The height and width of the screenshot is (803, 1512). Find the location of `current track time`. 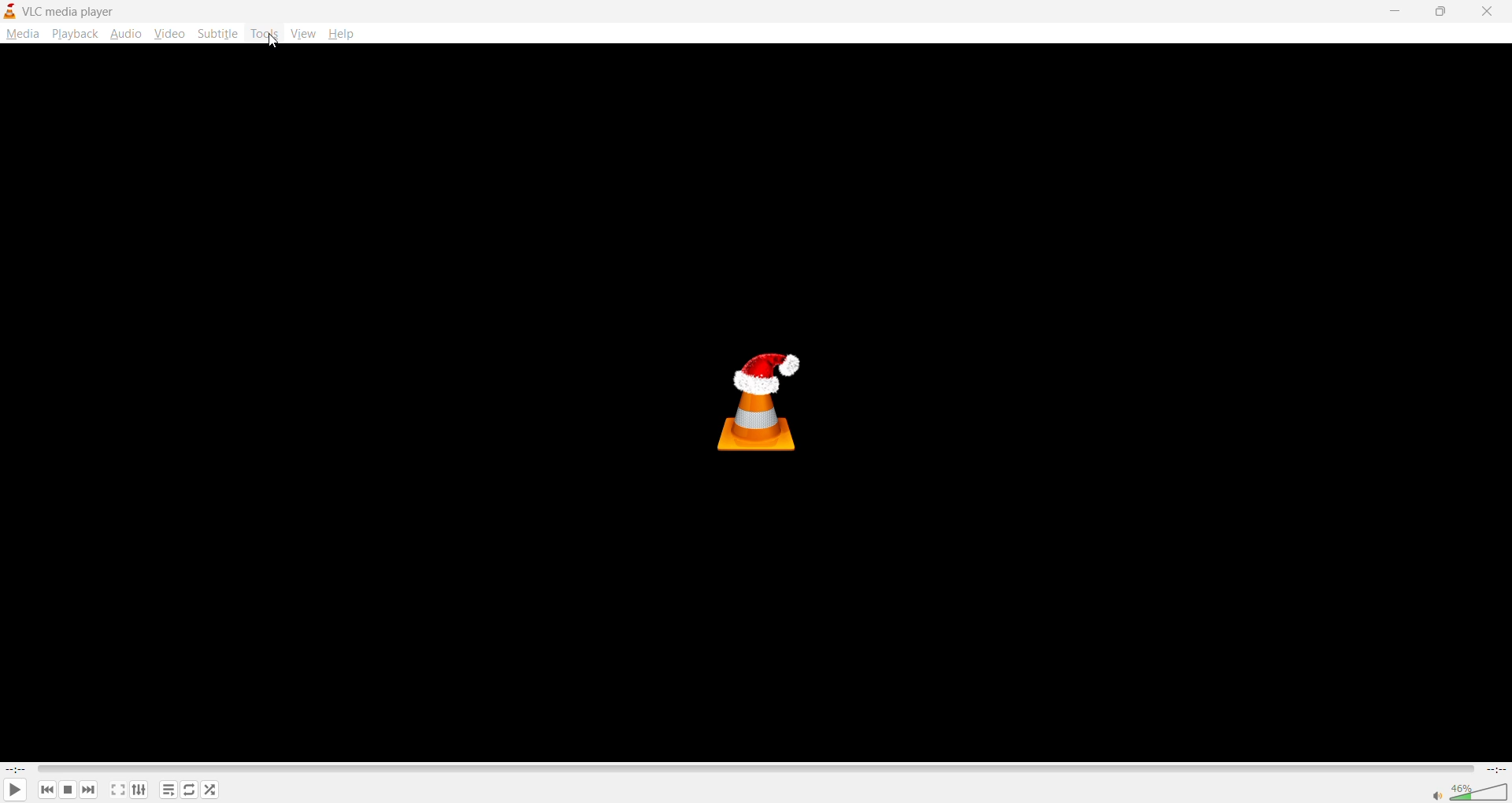

current track time is located at coordinates (16, 768).